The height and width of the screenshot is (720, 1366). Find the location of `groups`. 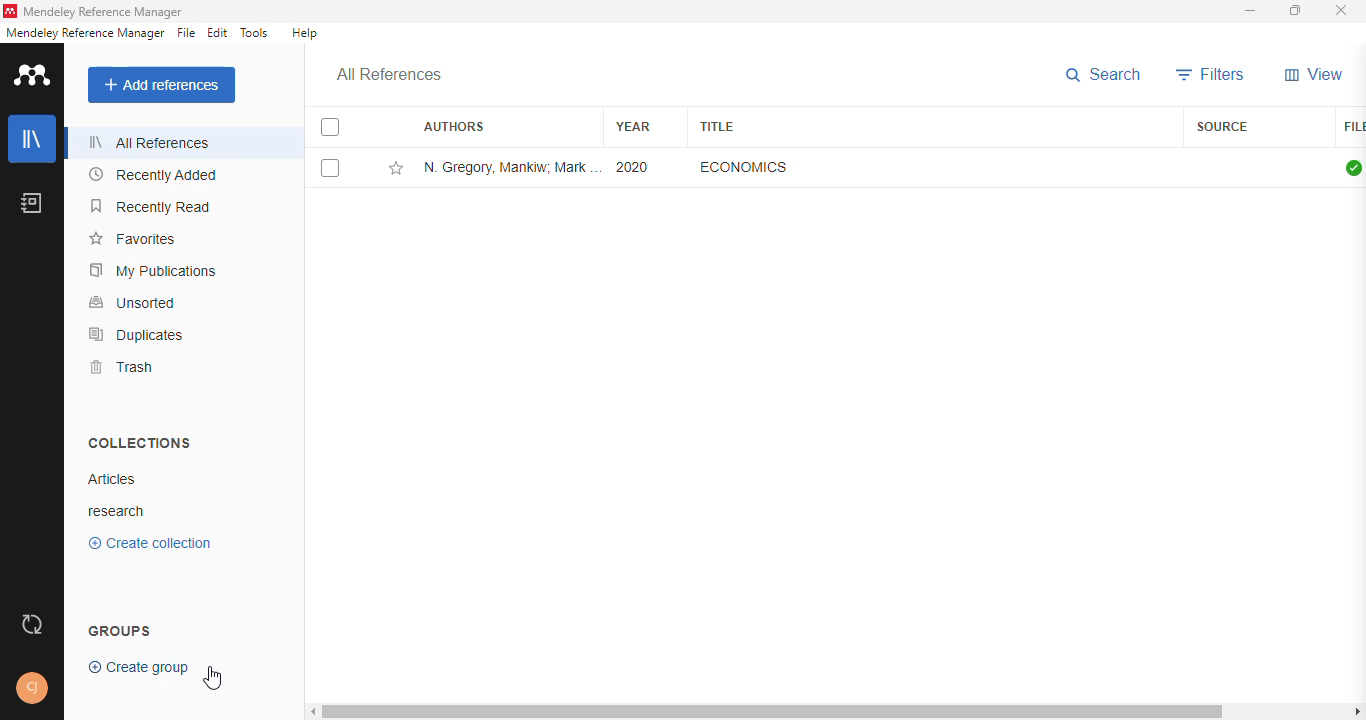

groups is located at coordinates (119, 630).